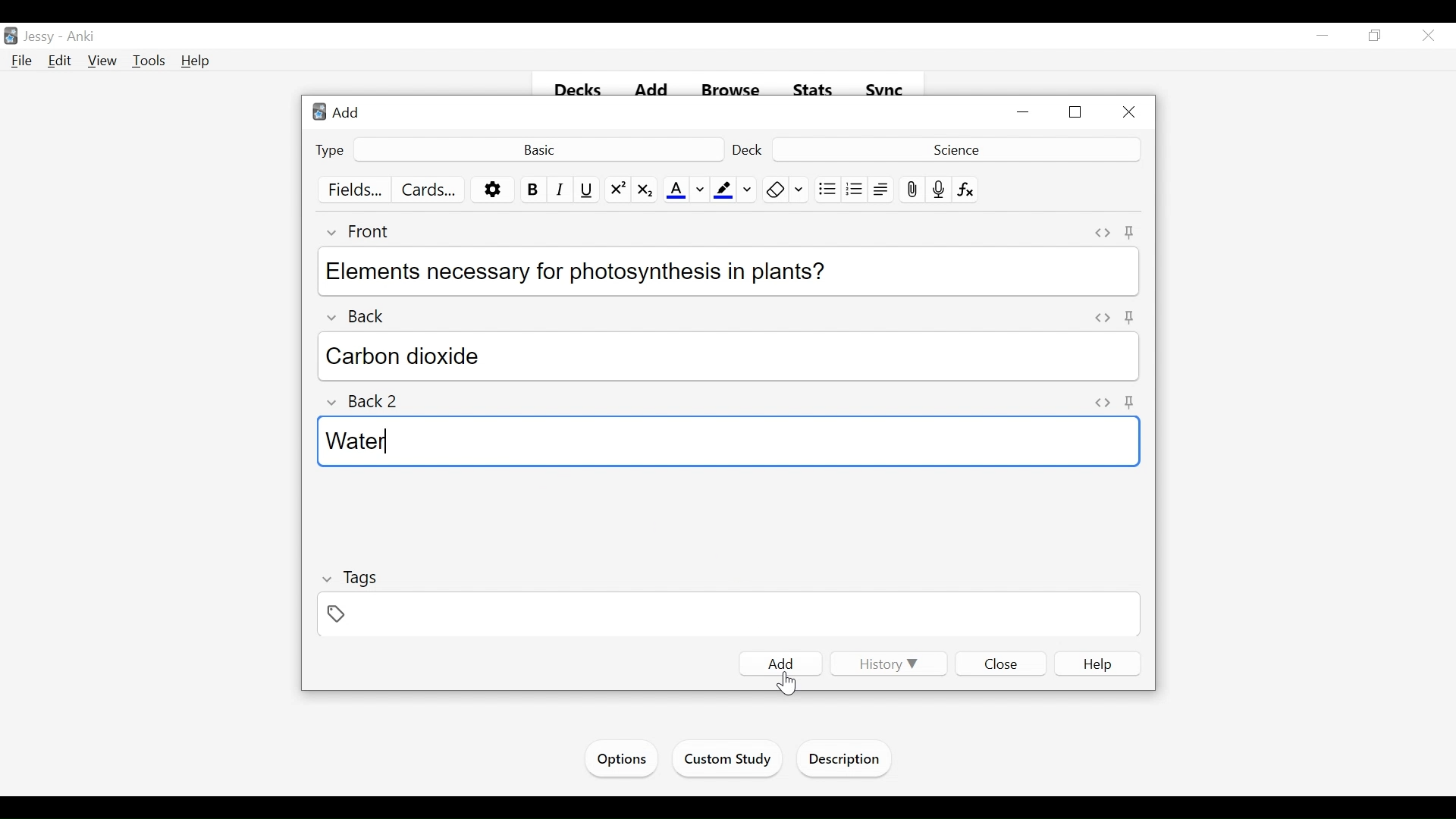 The width and height of the screenshot is (1456, 819). I want to click on History, so click(886, 664).